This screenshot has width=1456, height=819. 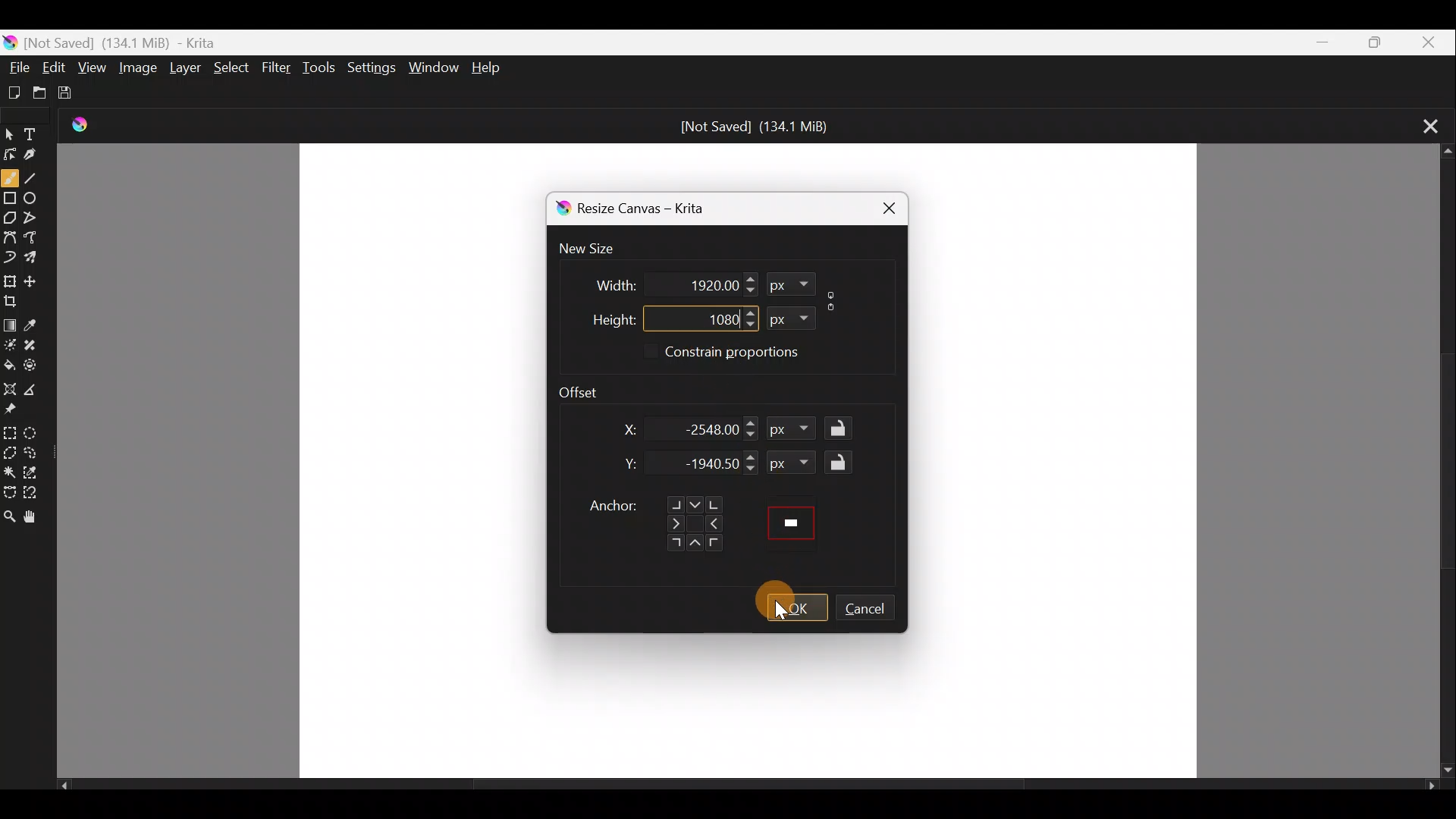 What do you see at coordinates (39, 129) in the screenshot?
I see `Text tool` at bounding box center [39, 129].